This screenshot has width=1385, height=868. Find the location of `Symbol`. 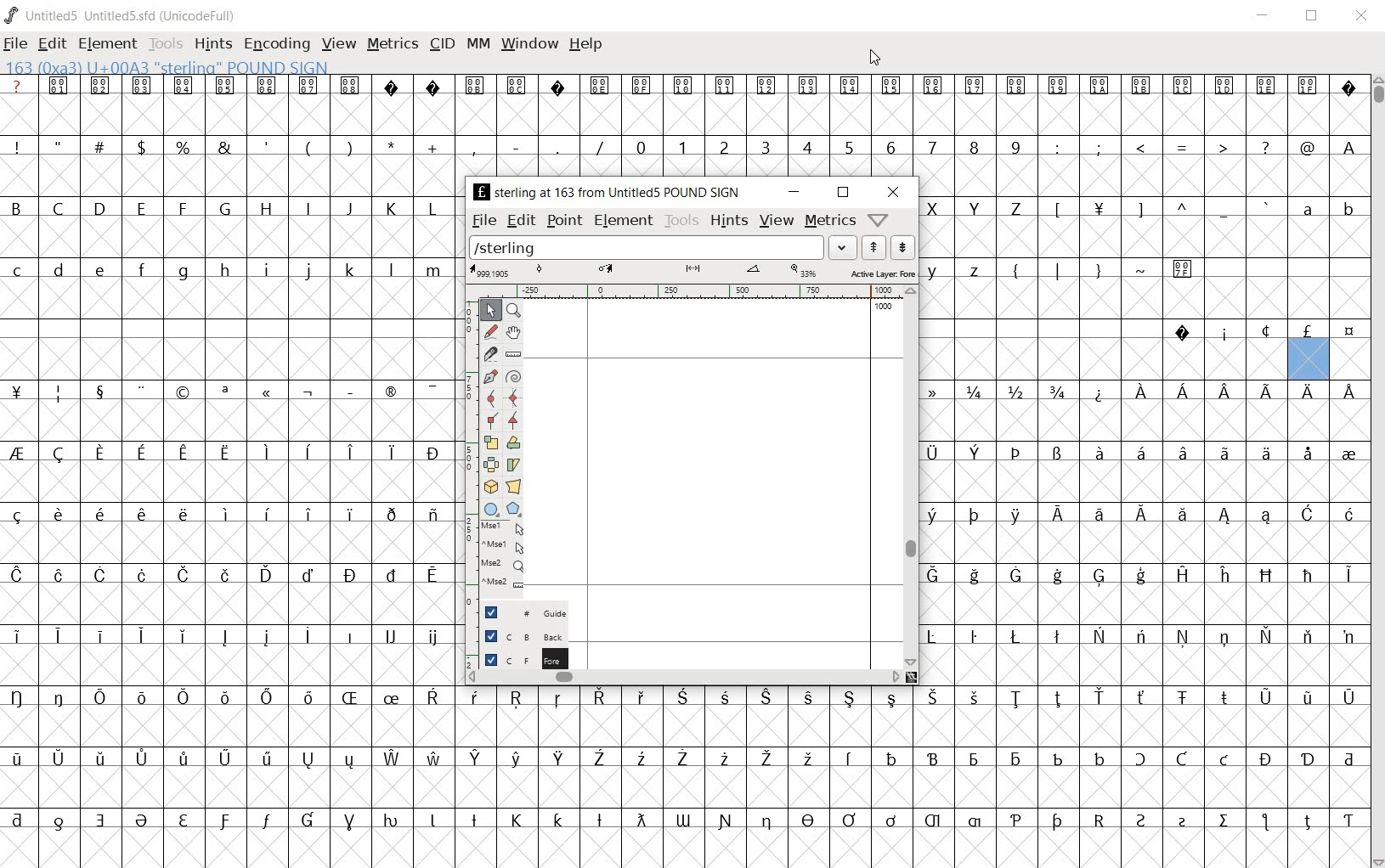

Symbol is located at coordinates (20, 635).